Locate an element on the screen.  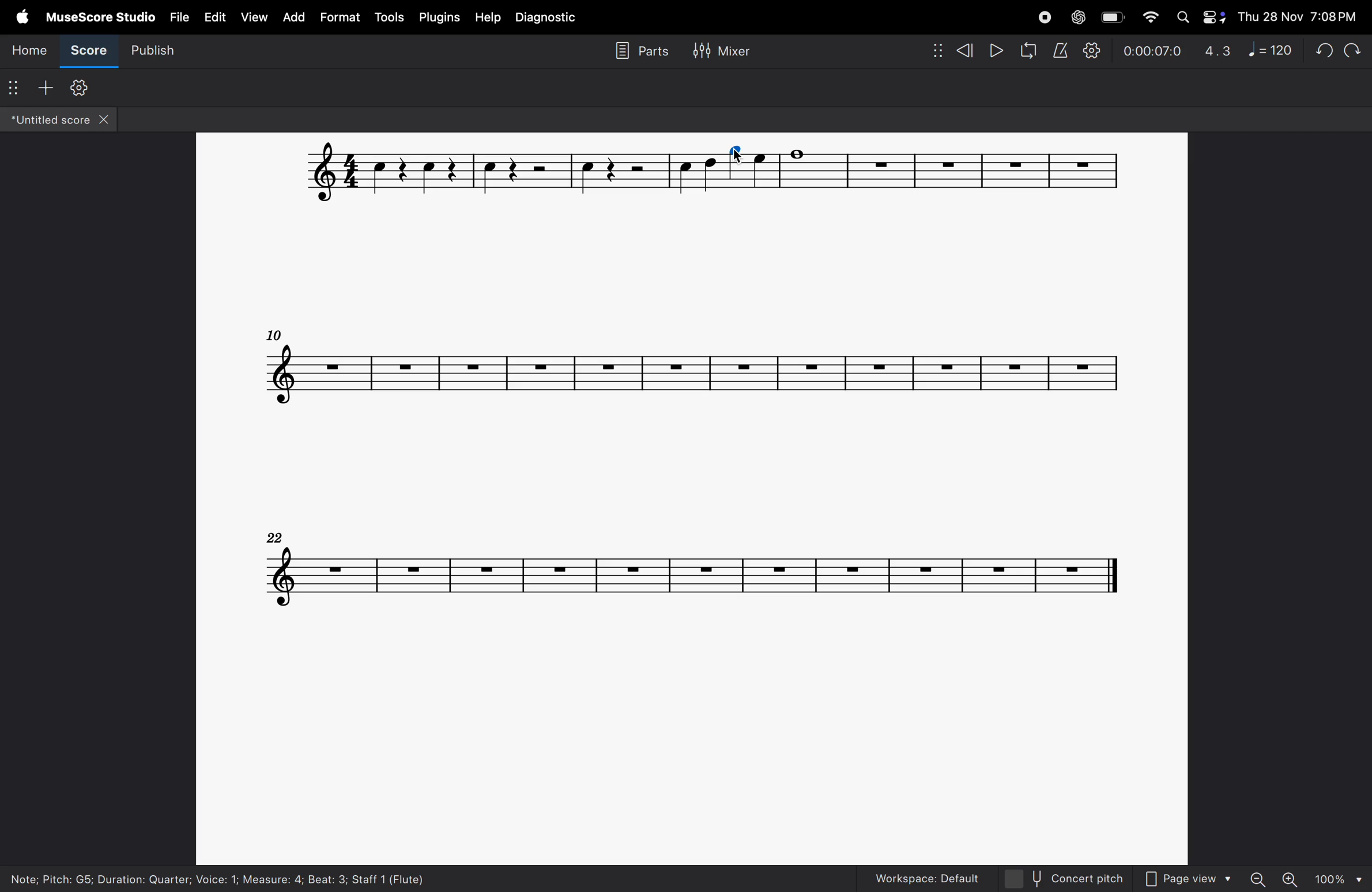
file is located at coordinates (179, 19).